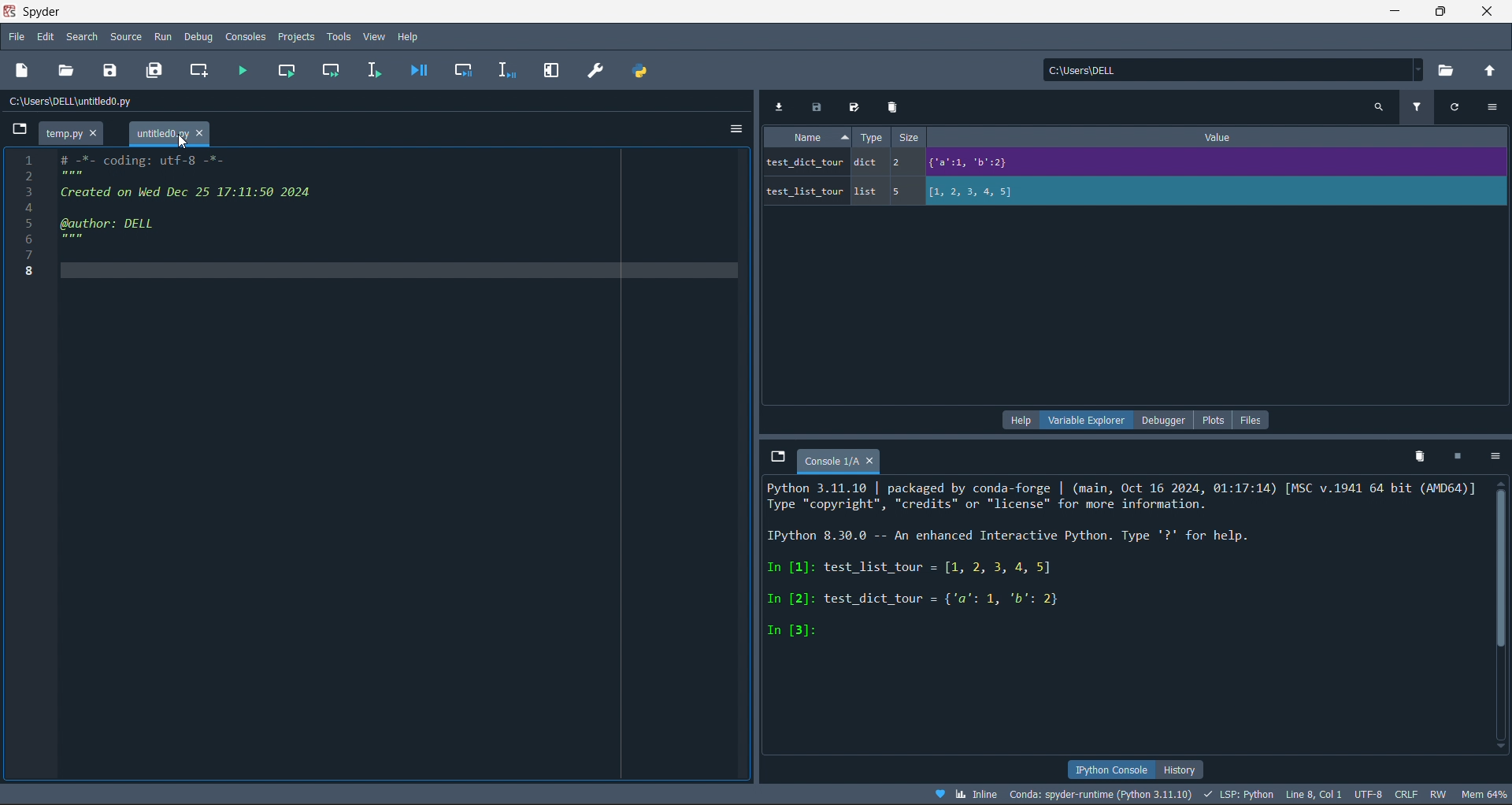 This screenshot has width=1512, height=805. I want to click on cursor, so click(187, 142).